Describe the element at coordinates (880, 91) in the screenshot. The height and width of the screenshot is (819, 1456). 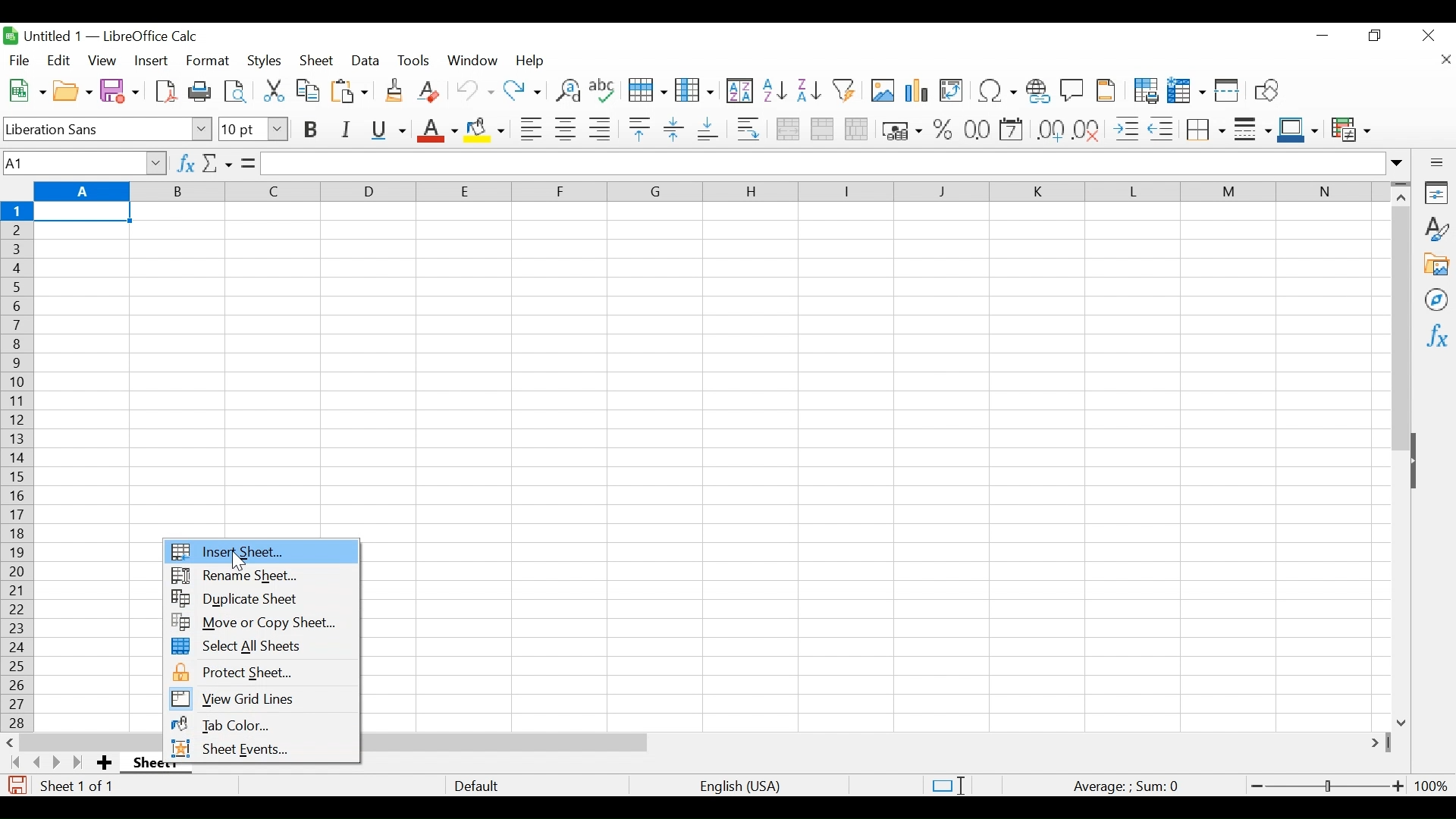
I see `Insert Image` at that location.